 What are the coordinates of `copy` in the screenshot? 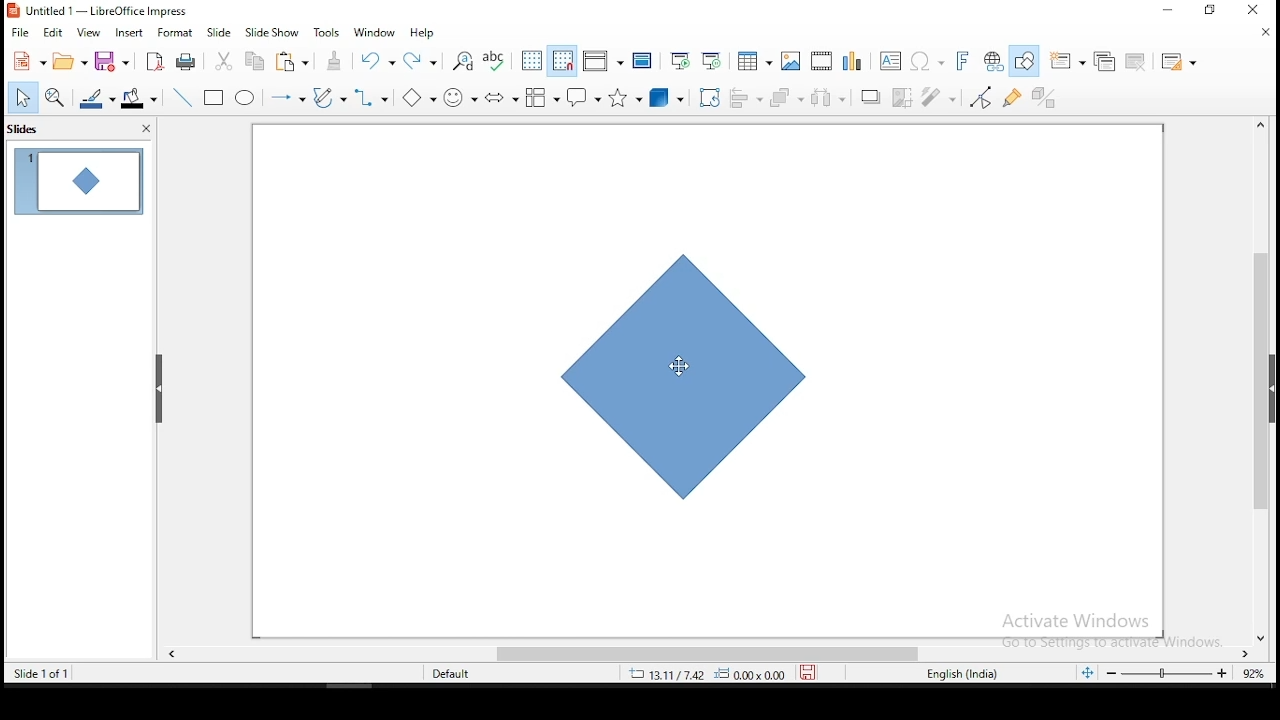 It's located at (255, 61).